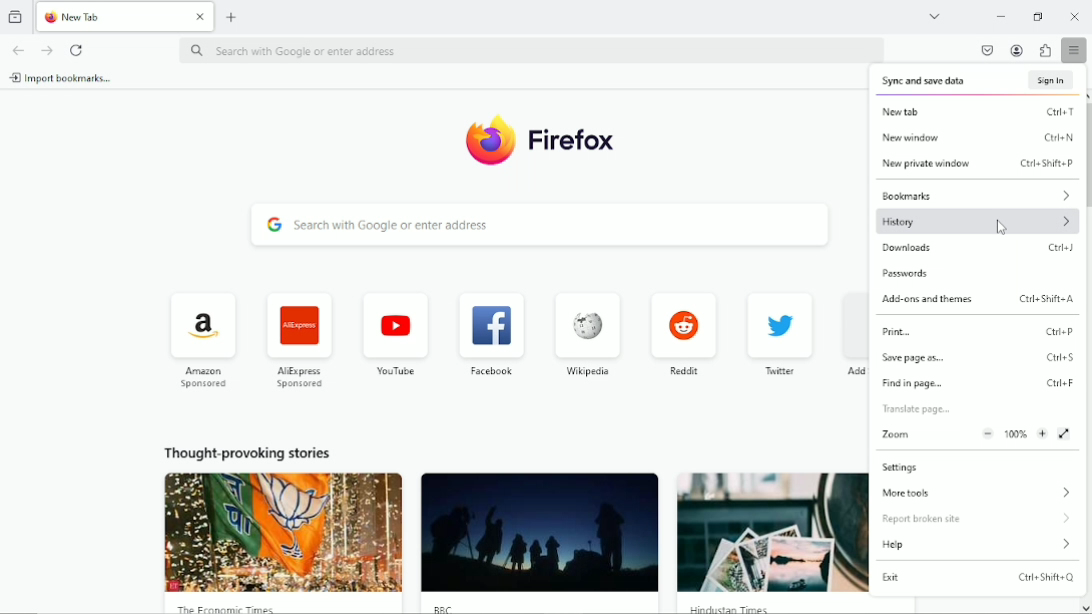 Image resolution: width=1092 pixels, height=614 pixels. I want to click on Firefox, so click(571, 139).